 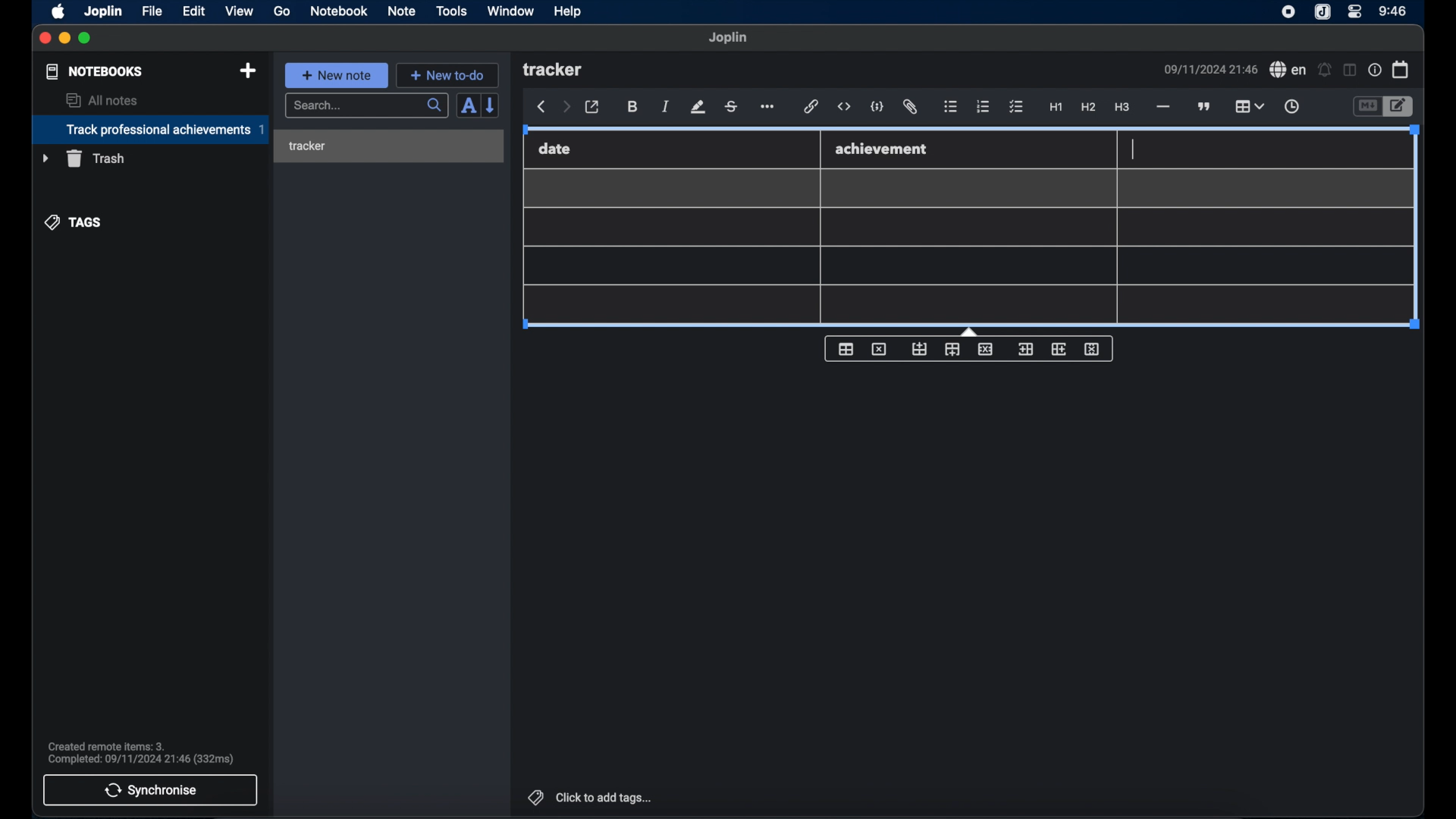 What do you see at coordinates (729, 38) in the screenshot?
I see `joplin` at bounding box center [729, 38].